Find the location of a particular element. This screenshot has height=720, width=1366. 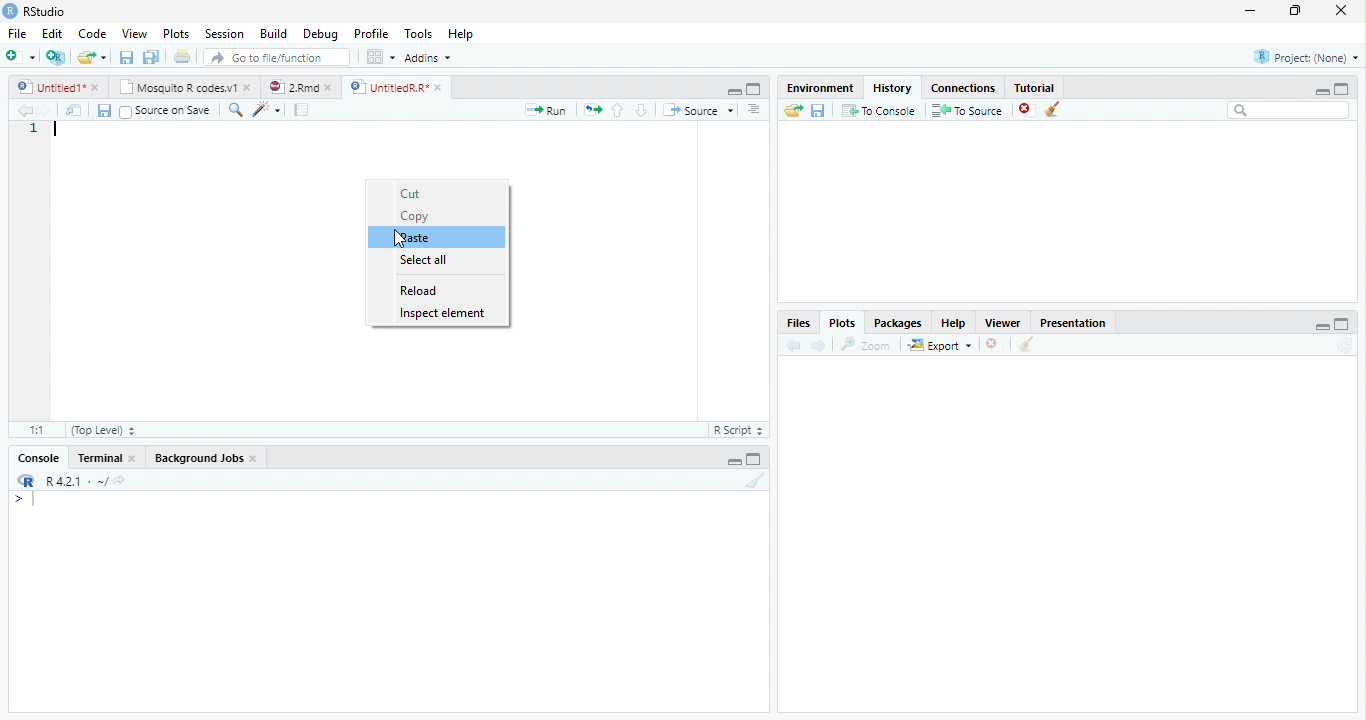

Terminal is located at coordinates (99, 458).